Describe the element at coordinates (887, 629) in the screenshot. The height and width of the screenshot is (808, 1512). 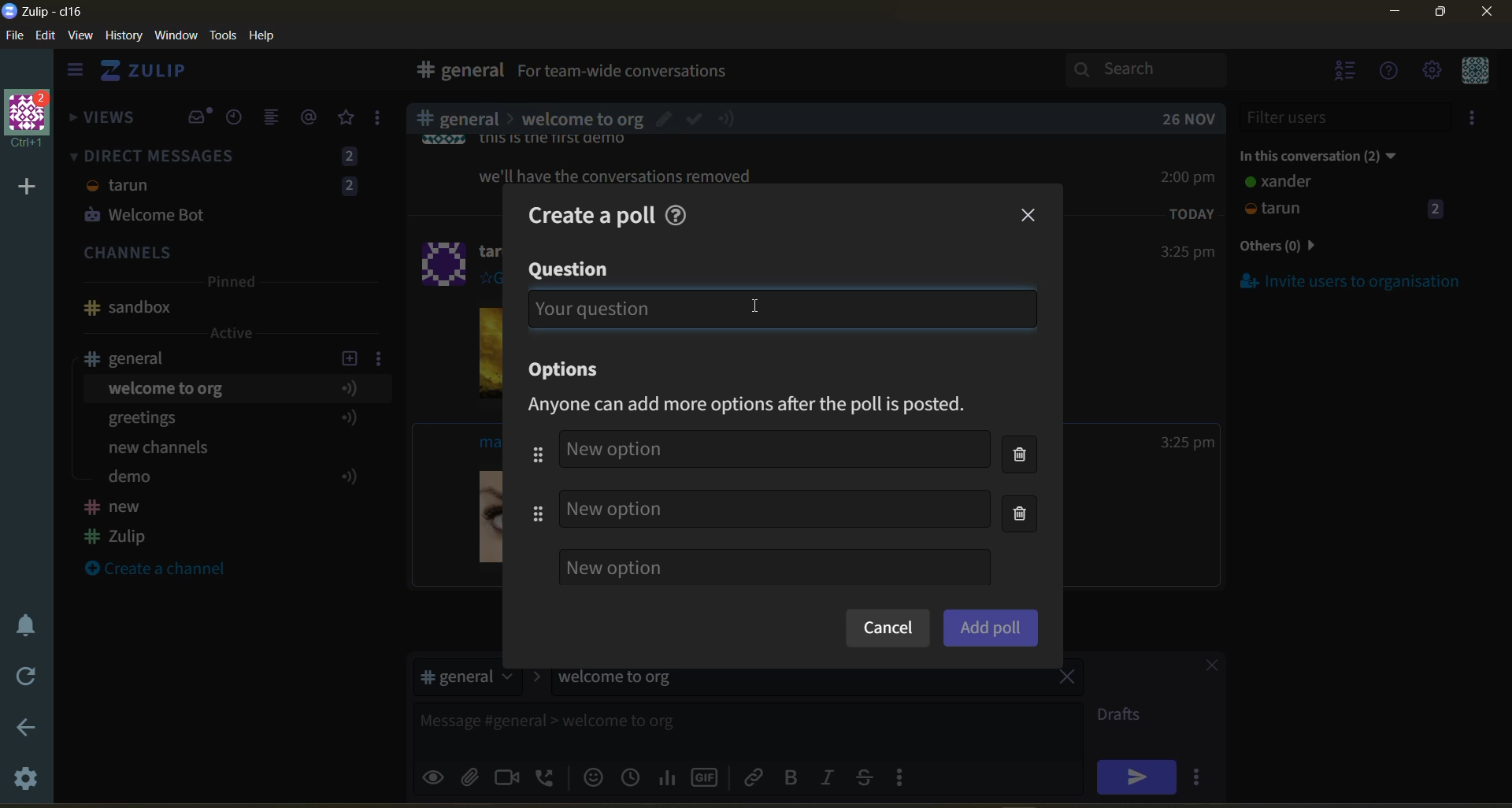
I see `cancel` at that location.